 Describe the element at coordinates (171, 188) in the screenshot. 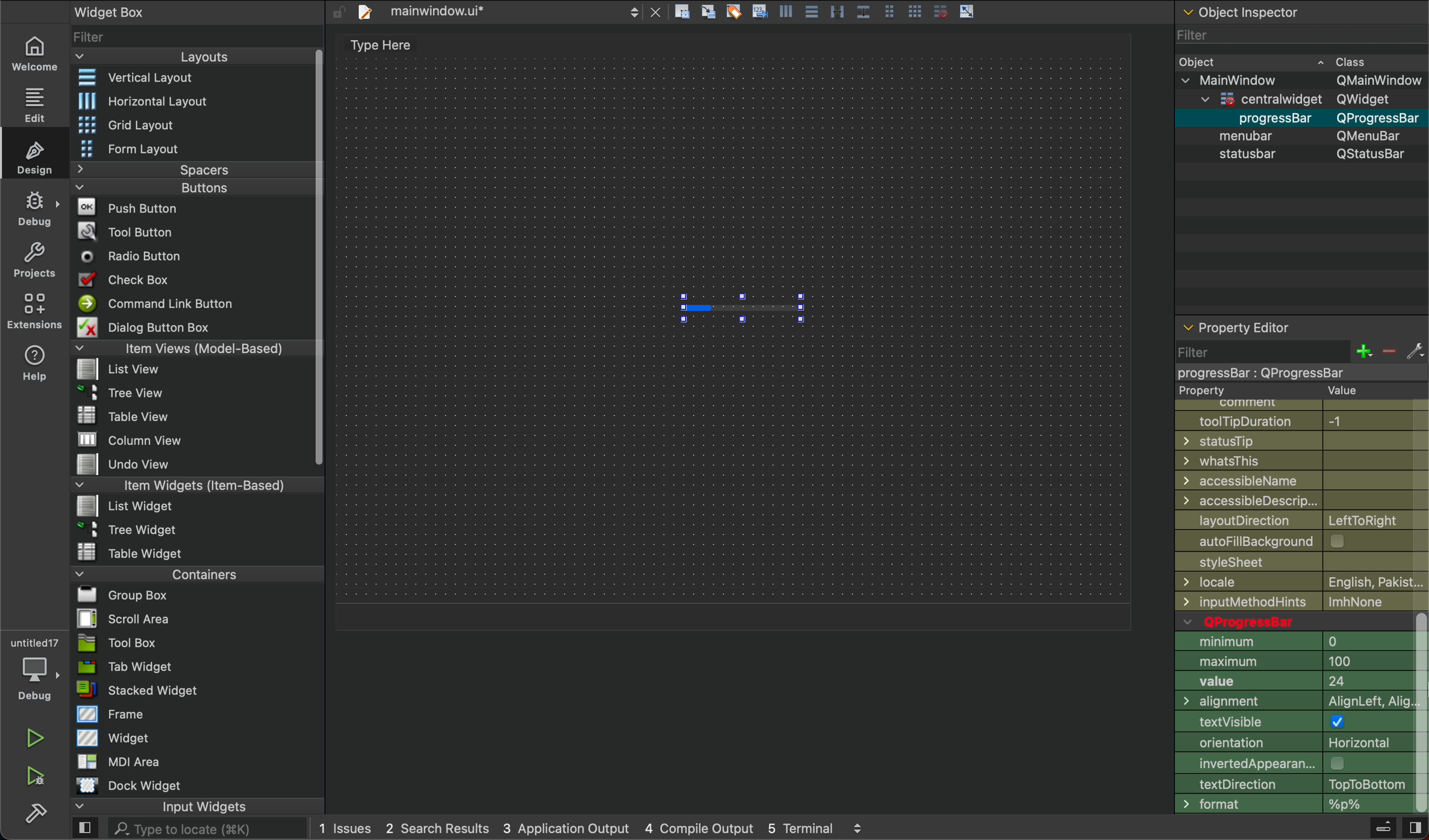

I see `Buttons` at that location.